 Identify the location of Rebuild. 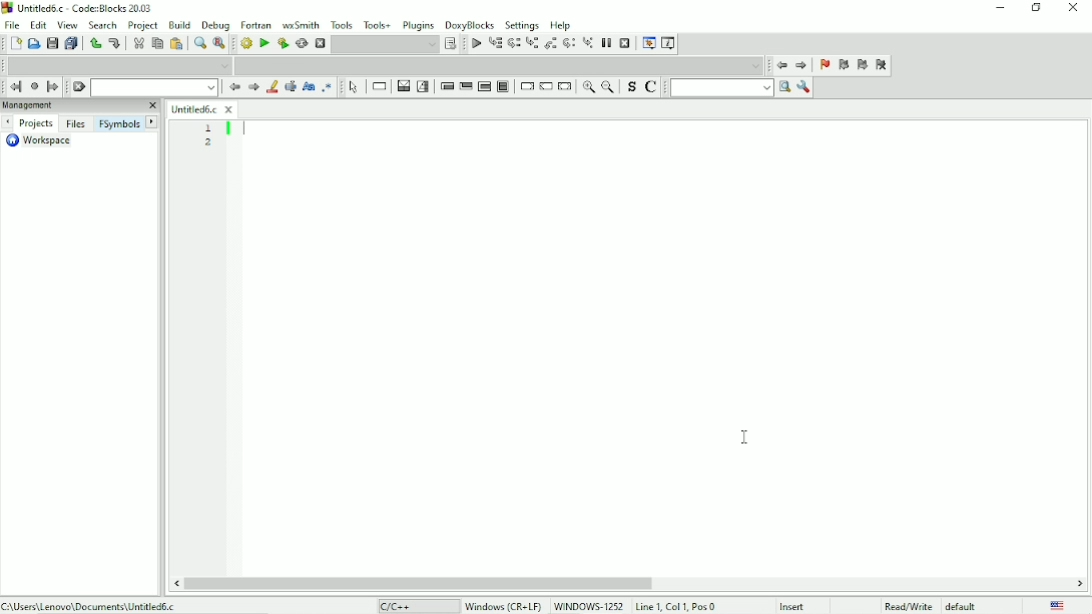
(302, 44).